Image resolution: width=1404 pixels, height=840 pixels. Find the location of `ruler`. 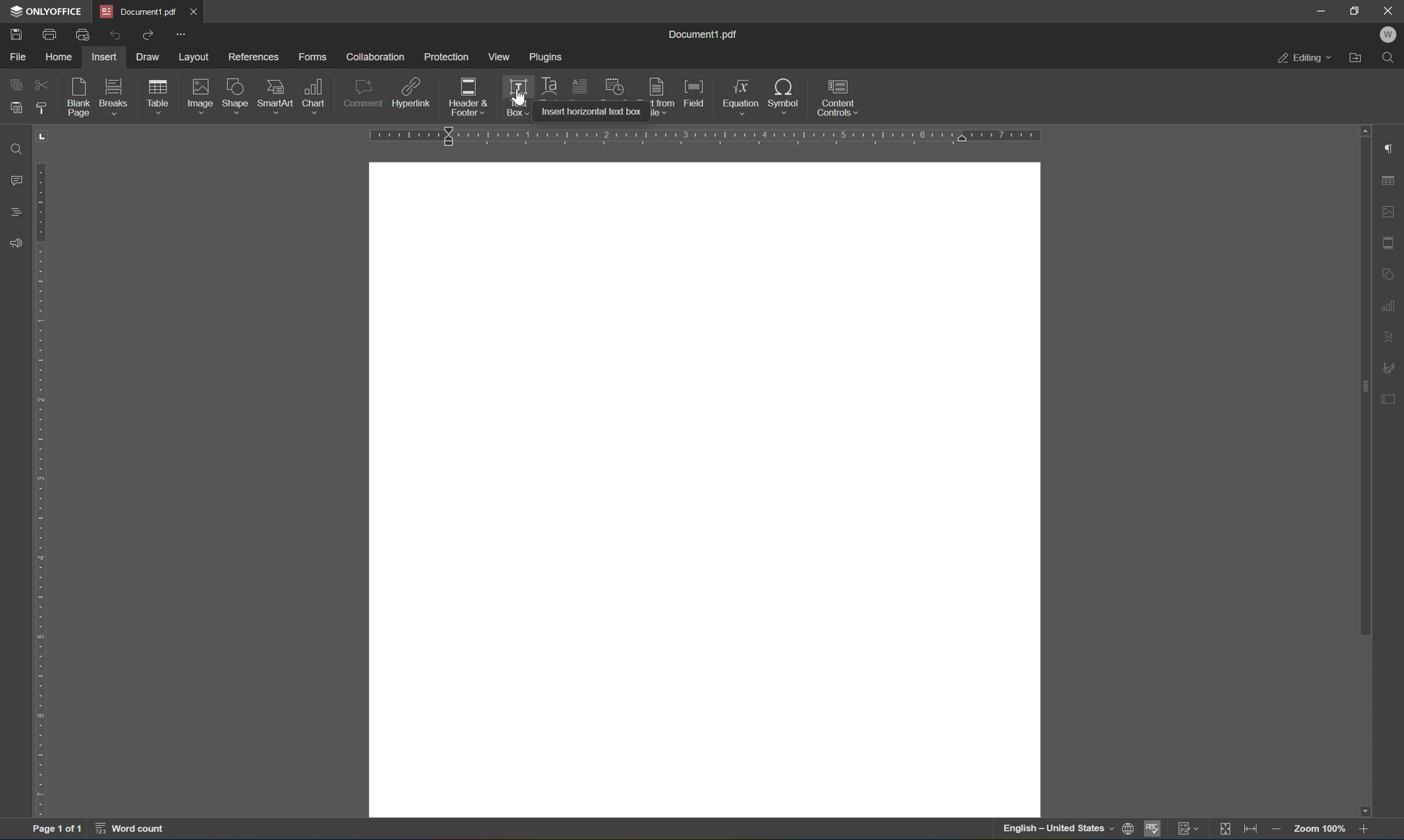

ruler is located at coordinates (703, 136).